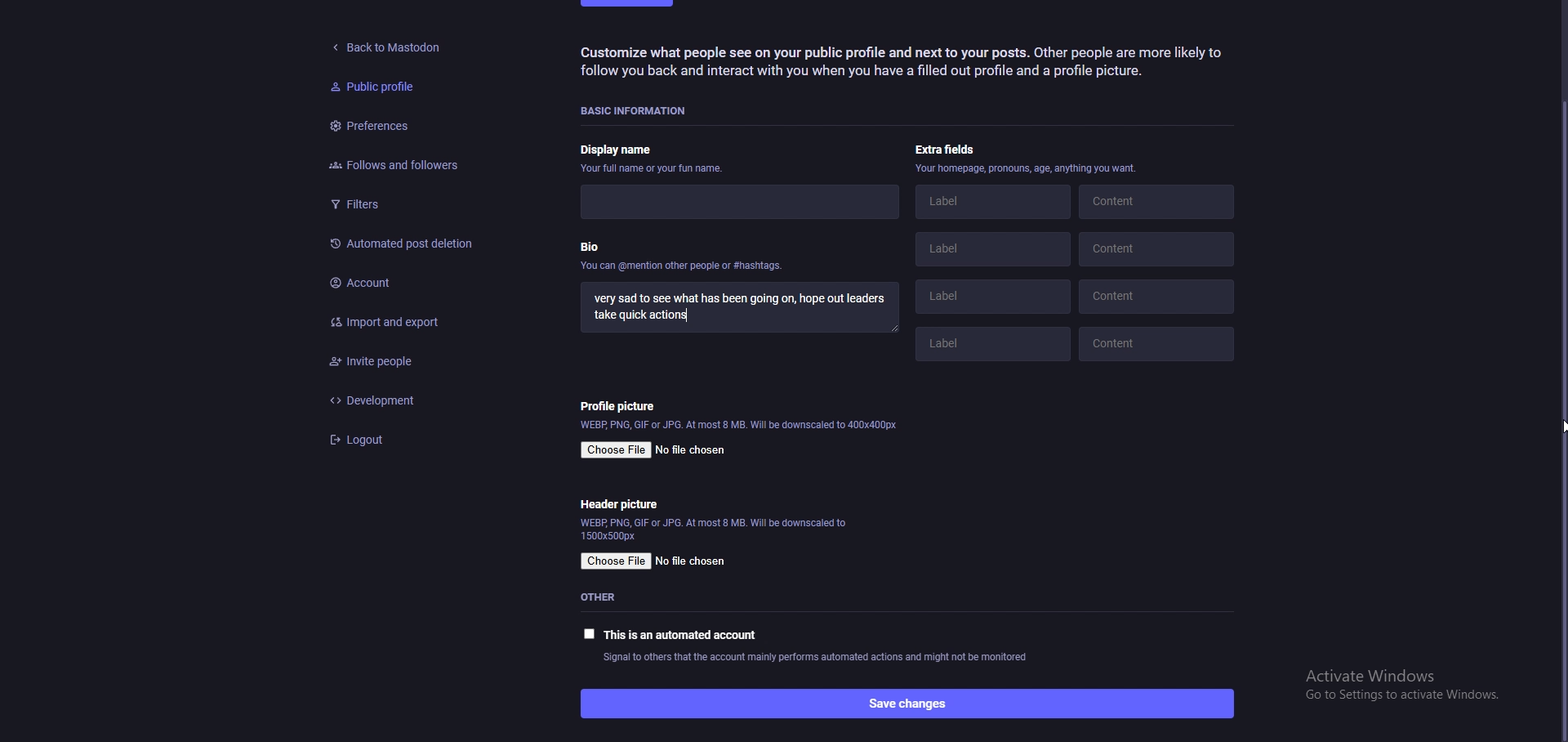 The width and height of the screenshot is (1568, 742). What do you see at coordinates (1159, 340) in the screenshot?
I see `content` at bounding box center [1159, 340].